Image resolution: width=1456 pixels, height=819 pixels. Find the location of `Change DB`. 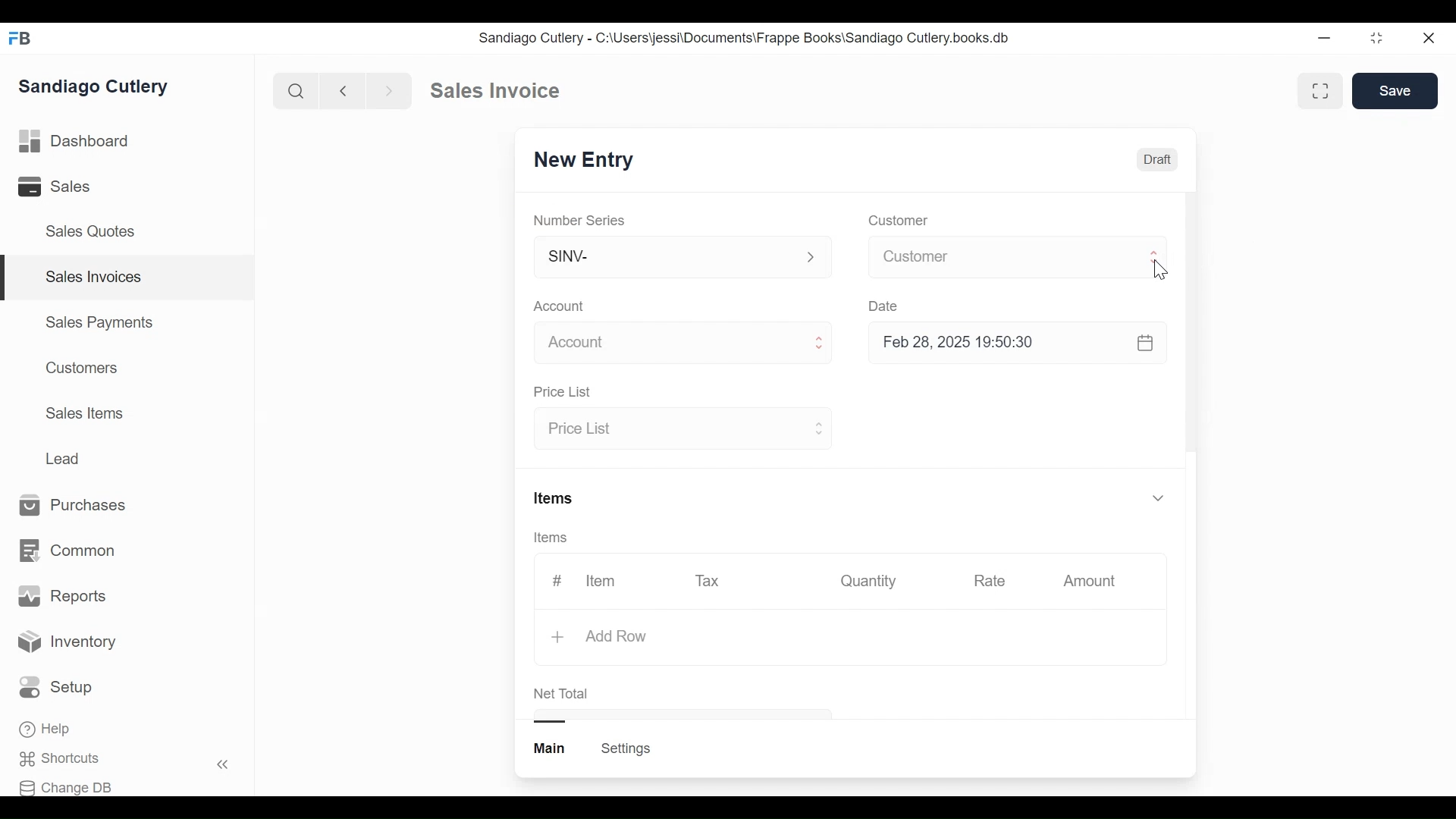

Change DB is located at coordinates (66, 788).